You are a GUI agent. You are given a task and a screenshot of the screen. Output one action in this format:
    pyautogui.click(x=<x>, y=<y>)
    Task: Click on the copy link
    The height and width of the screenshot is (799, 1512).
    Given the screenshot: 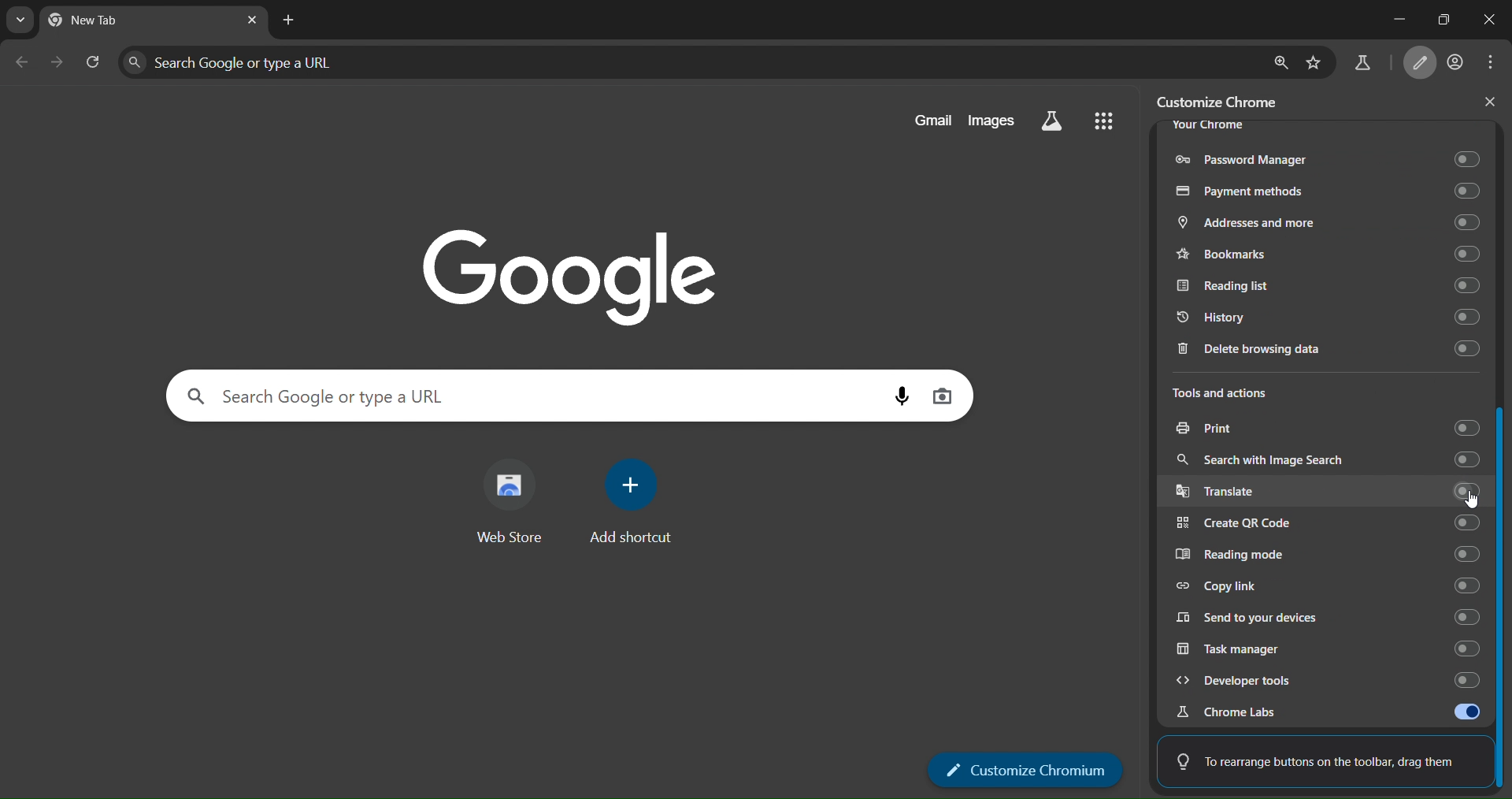 What is the action you would take?
    pyautogui.click(x=1329, y=588)
    